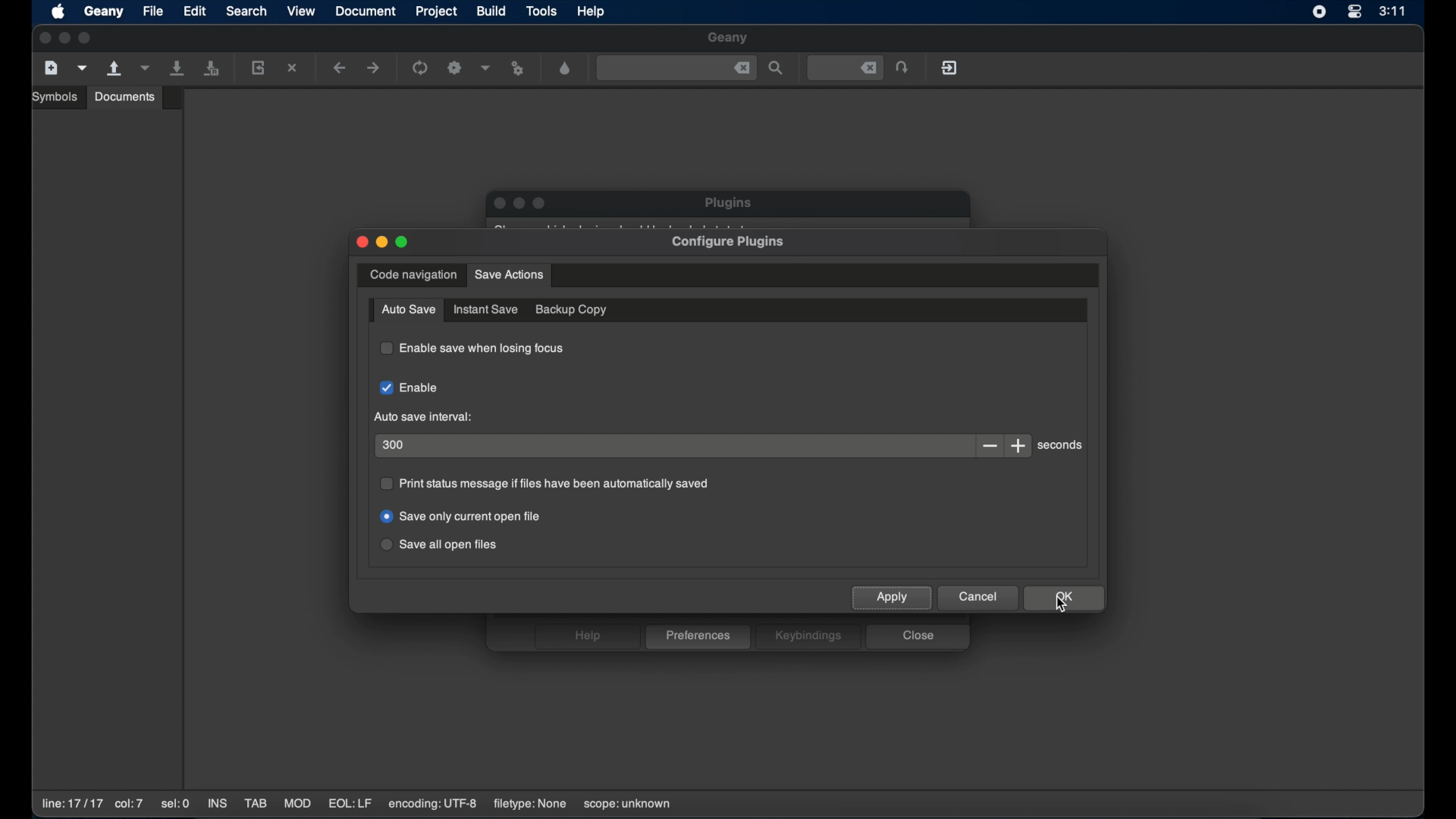 The image size is (1456, 819). Describe the element at coordinates (485, 309) in the screenshot. I see `instant  save` at that location.